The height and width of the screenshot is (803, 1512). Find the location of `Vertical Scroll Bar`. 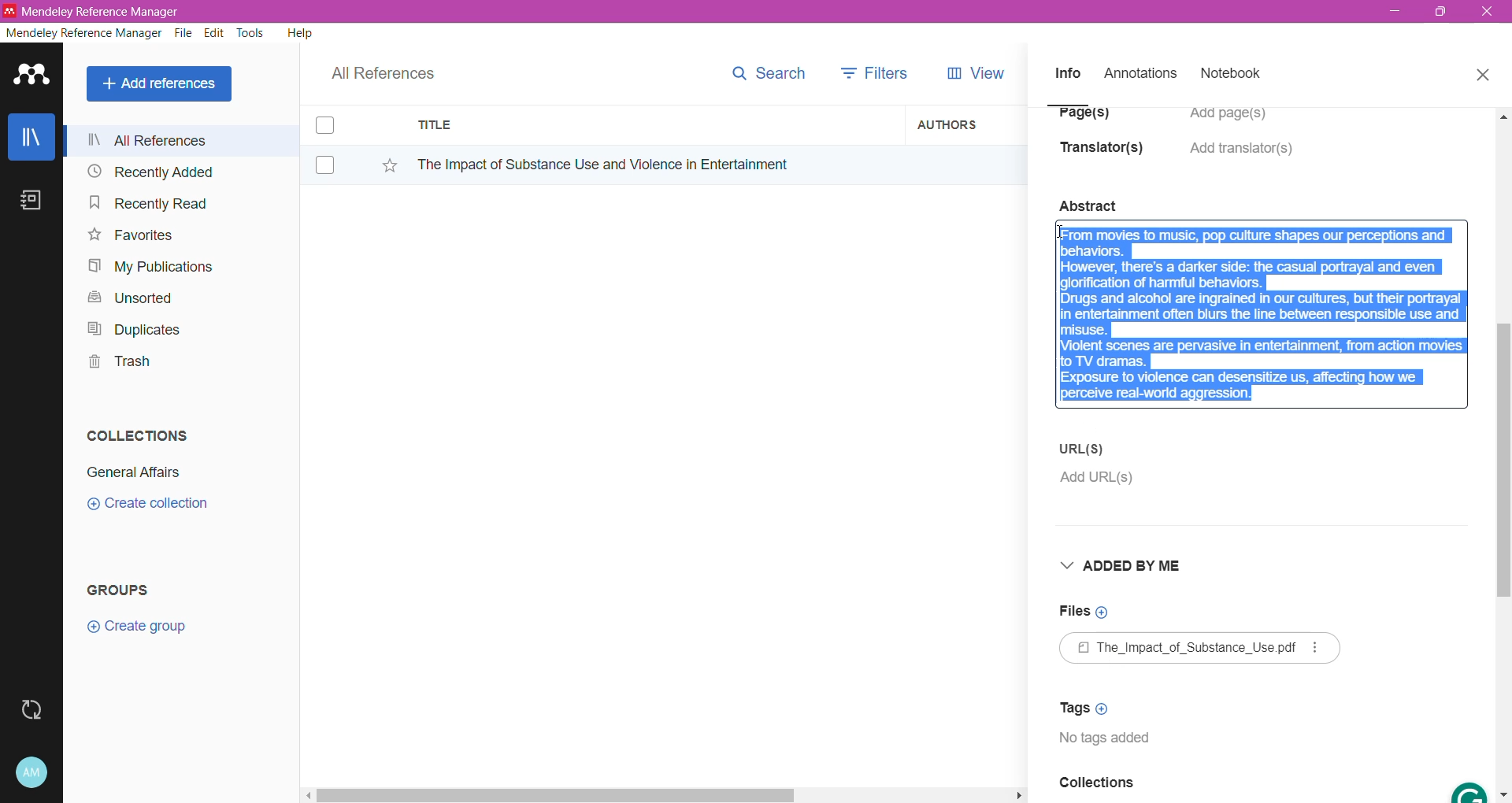

Vertical Scroll Bar is located at coordinates (1503, 453).